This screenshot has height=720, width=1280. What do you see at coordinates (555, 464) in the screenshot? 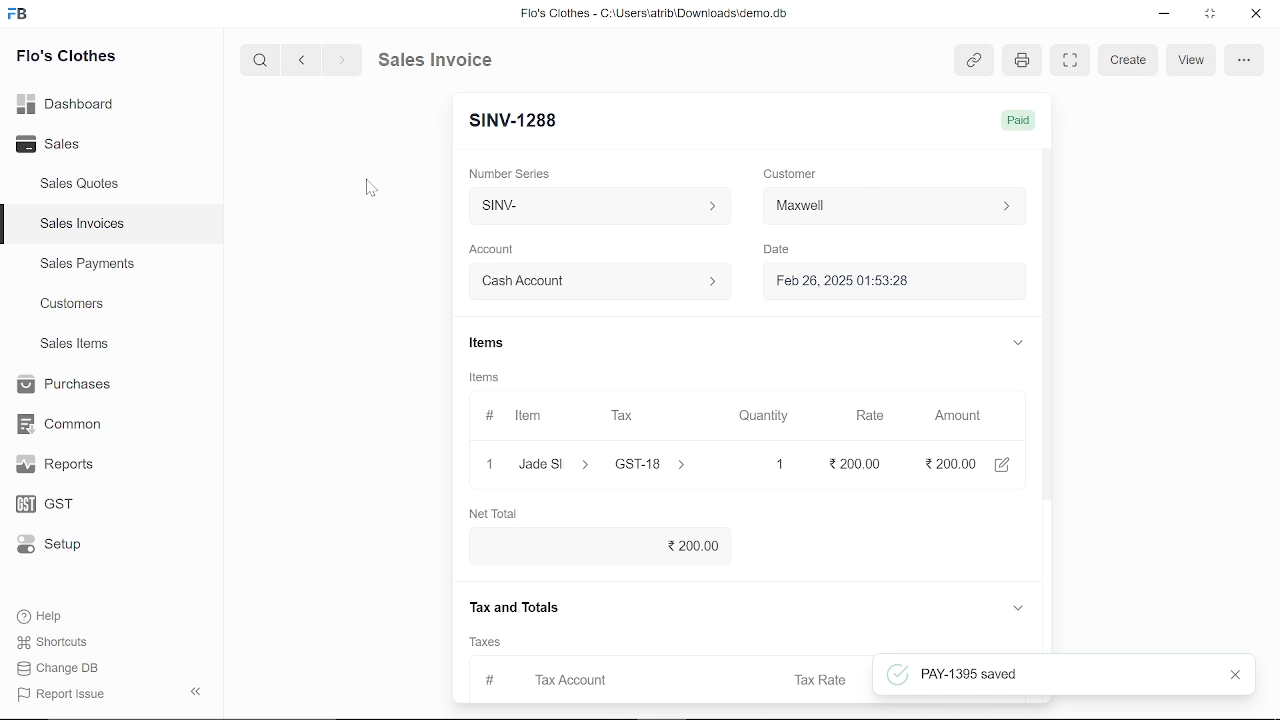
I see `Jade slippers` at bounding box center [555, 464].